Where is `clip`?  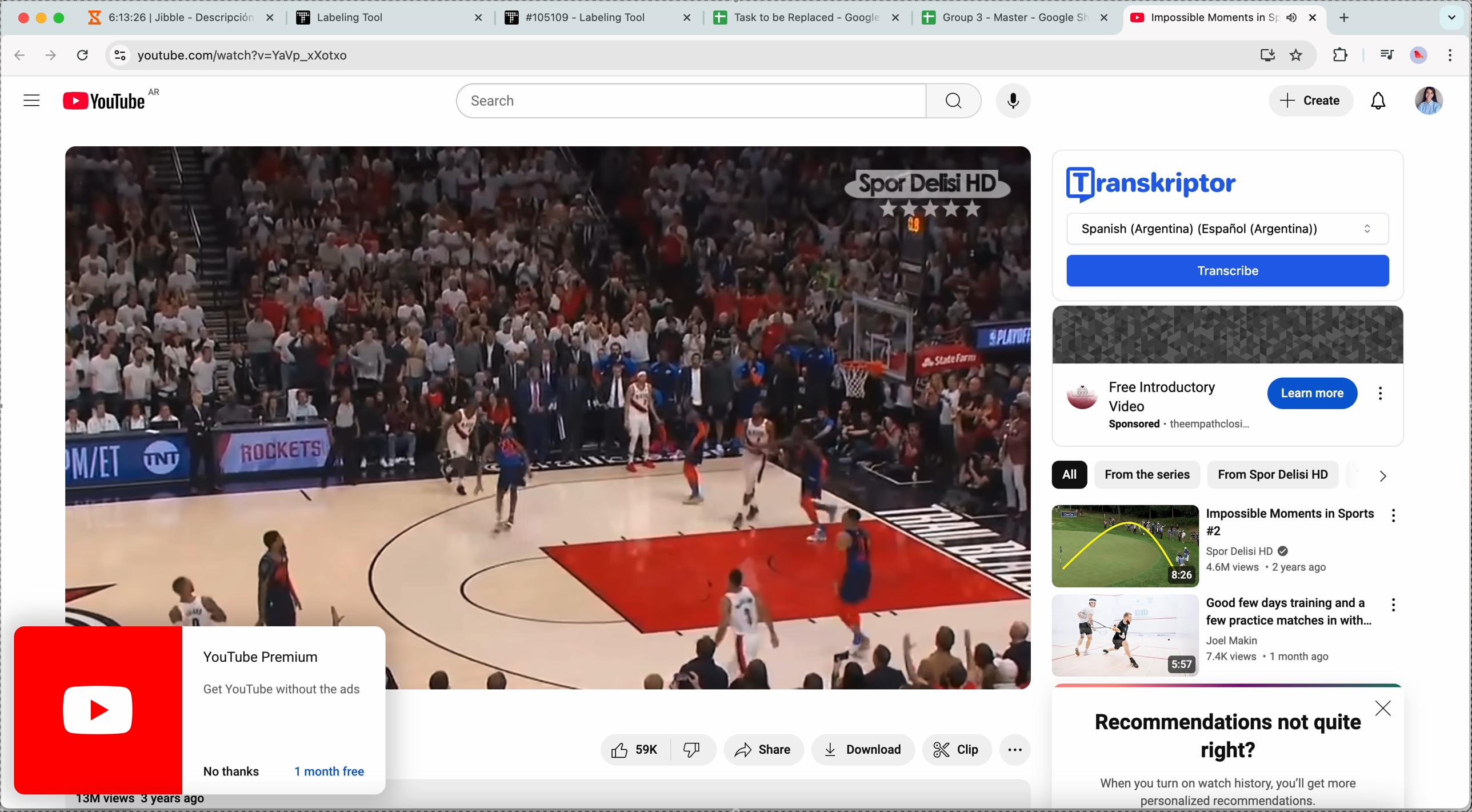
clip is located at coordinates (953, 749).